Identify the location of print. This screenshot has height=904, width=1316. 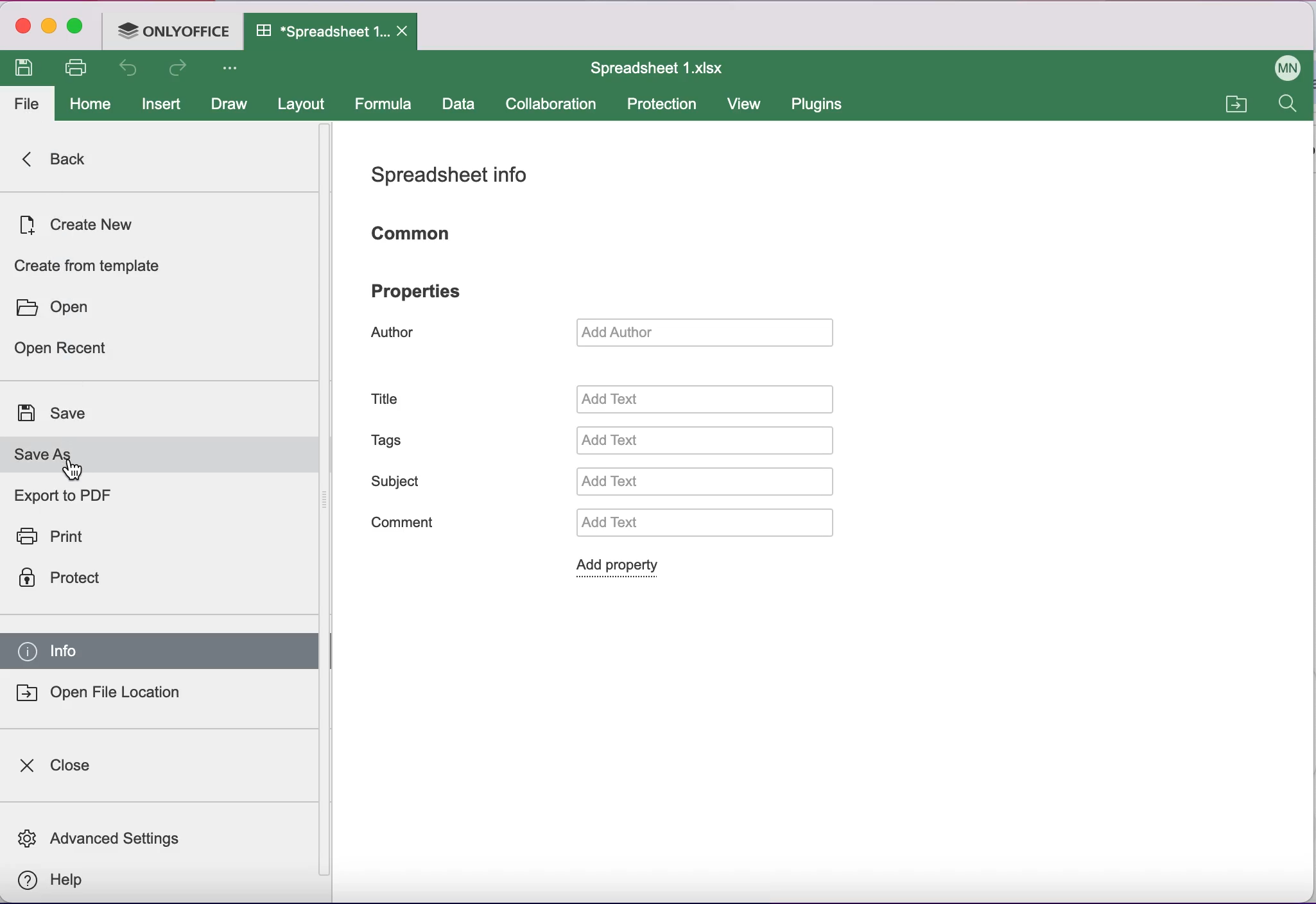
(76, 69).